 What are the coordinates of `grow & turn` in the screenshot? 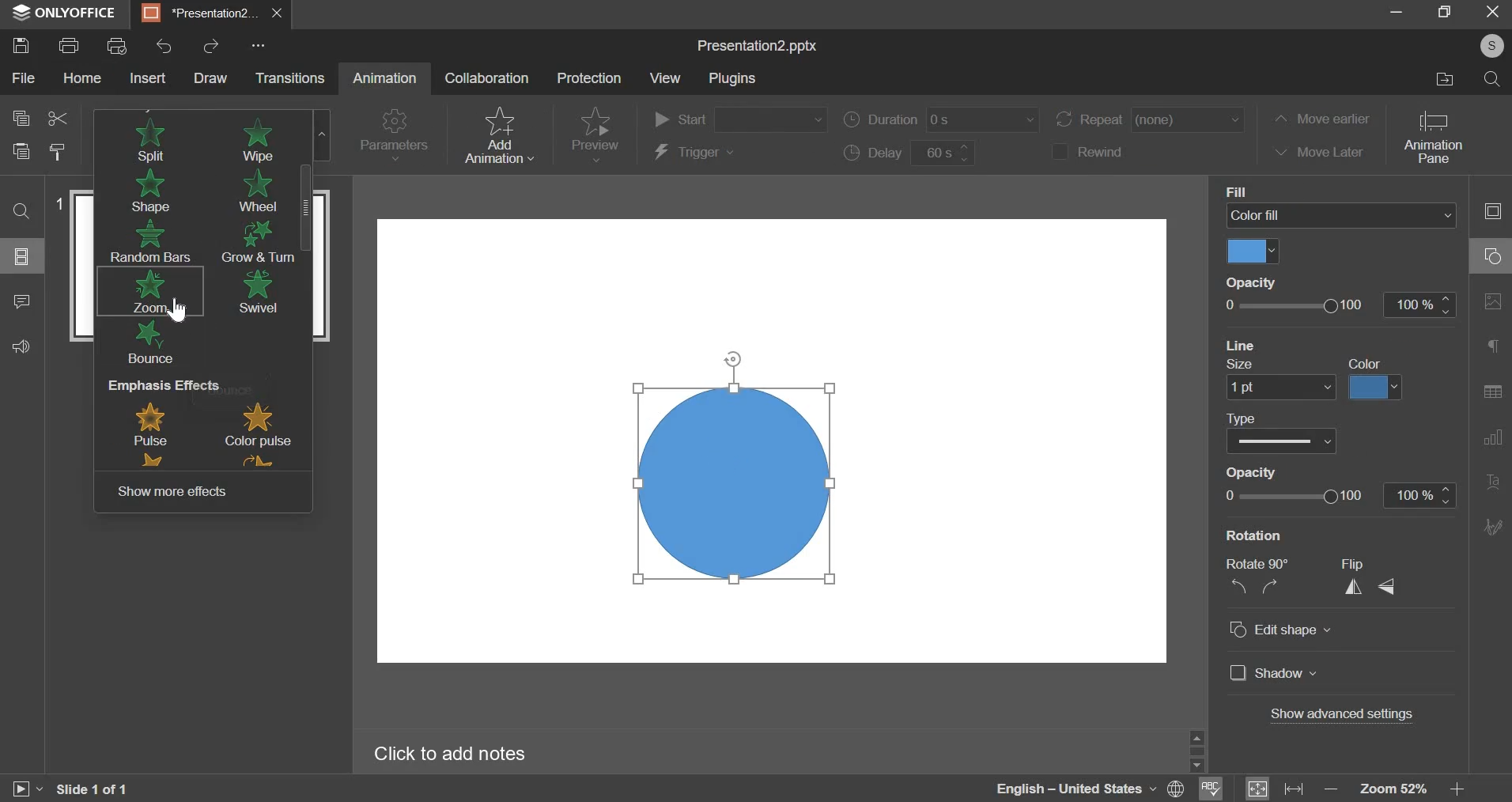 It's located at (256, 240).